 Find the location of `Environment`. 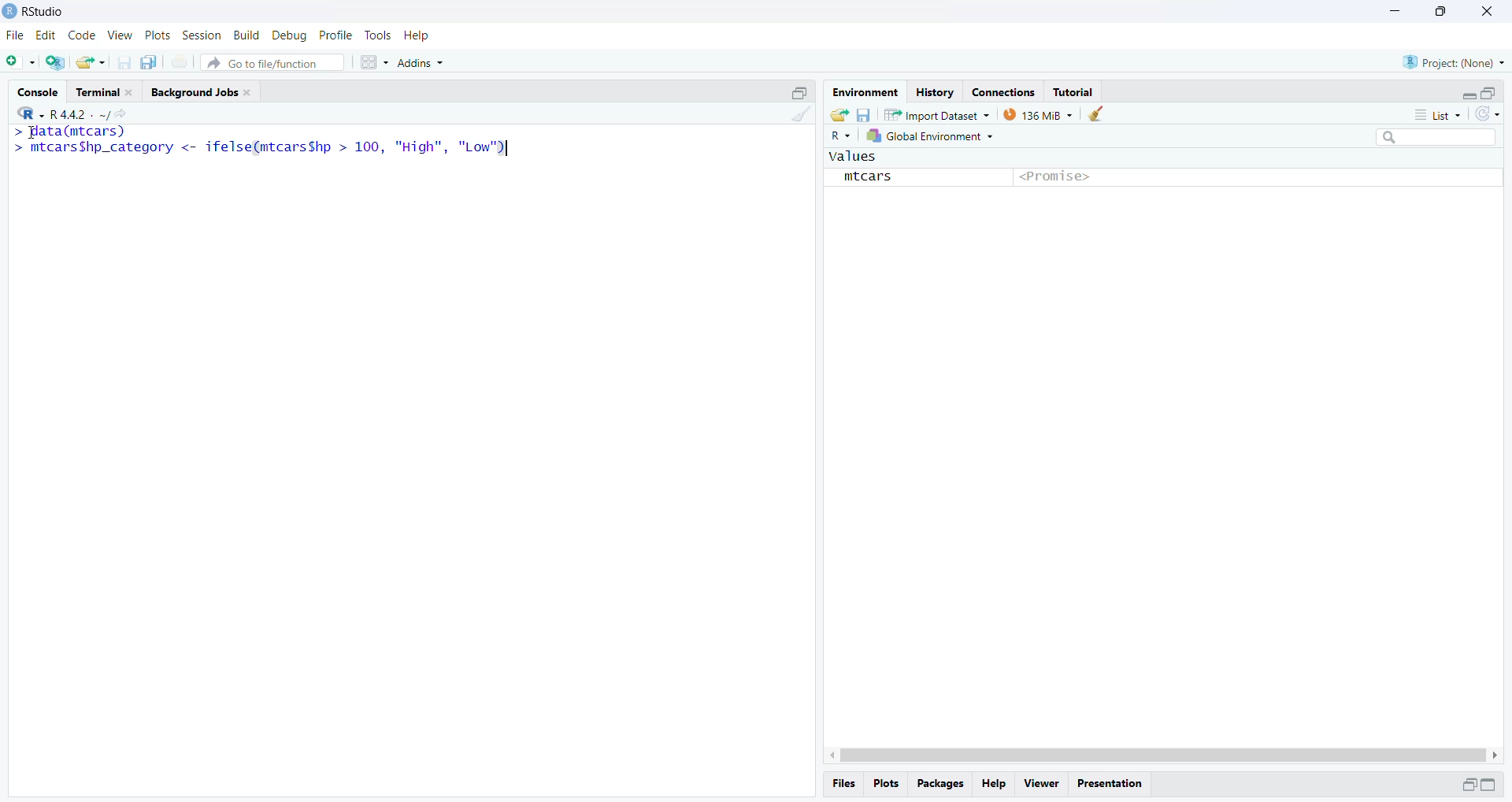

Environment is located at coordinates (865, 92).